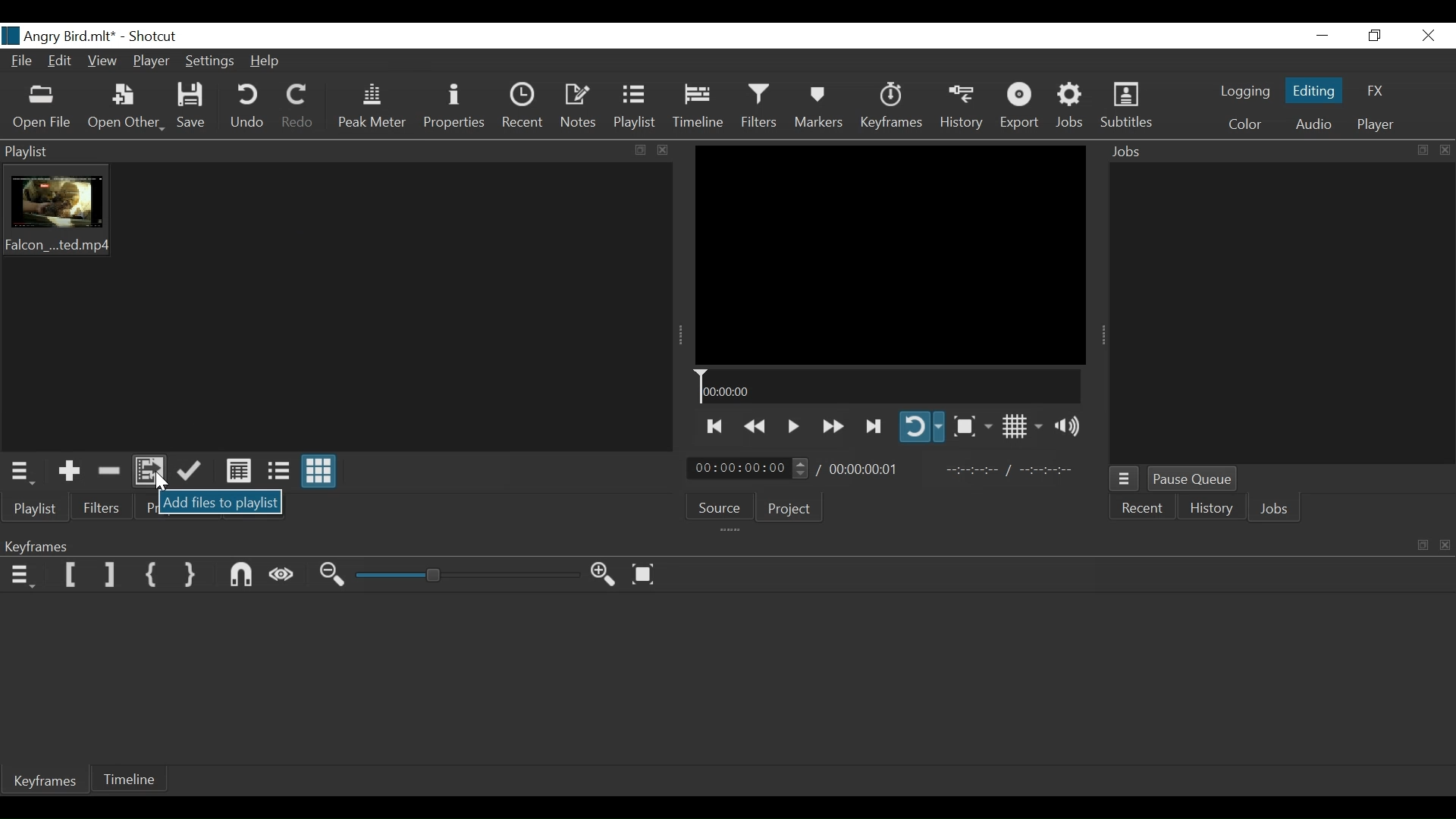  What do you see at coordinates (253, 509) in the screenshot?
I see `Notes` at bounding box center [253, 509].